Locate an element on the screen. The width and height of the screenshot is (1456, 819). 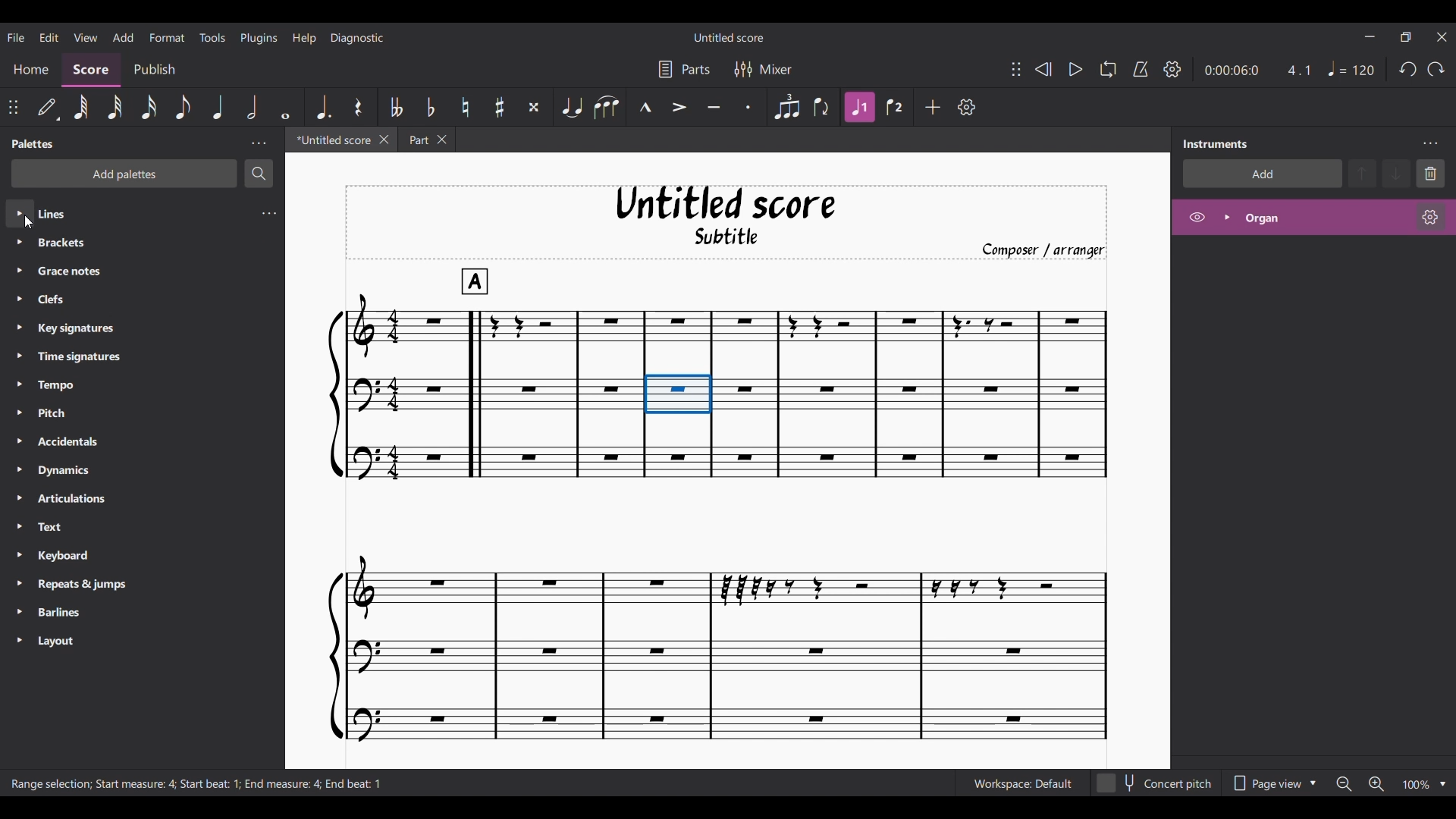
Add is located at coordinates (933, 107).